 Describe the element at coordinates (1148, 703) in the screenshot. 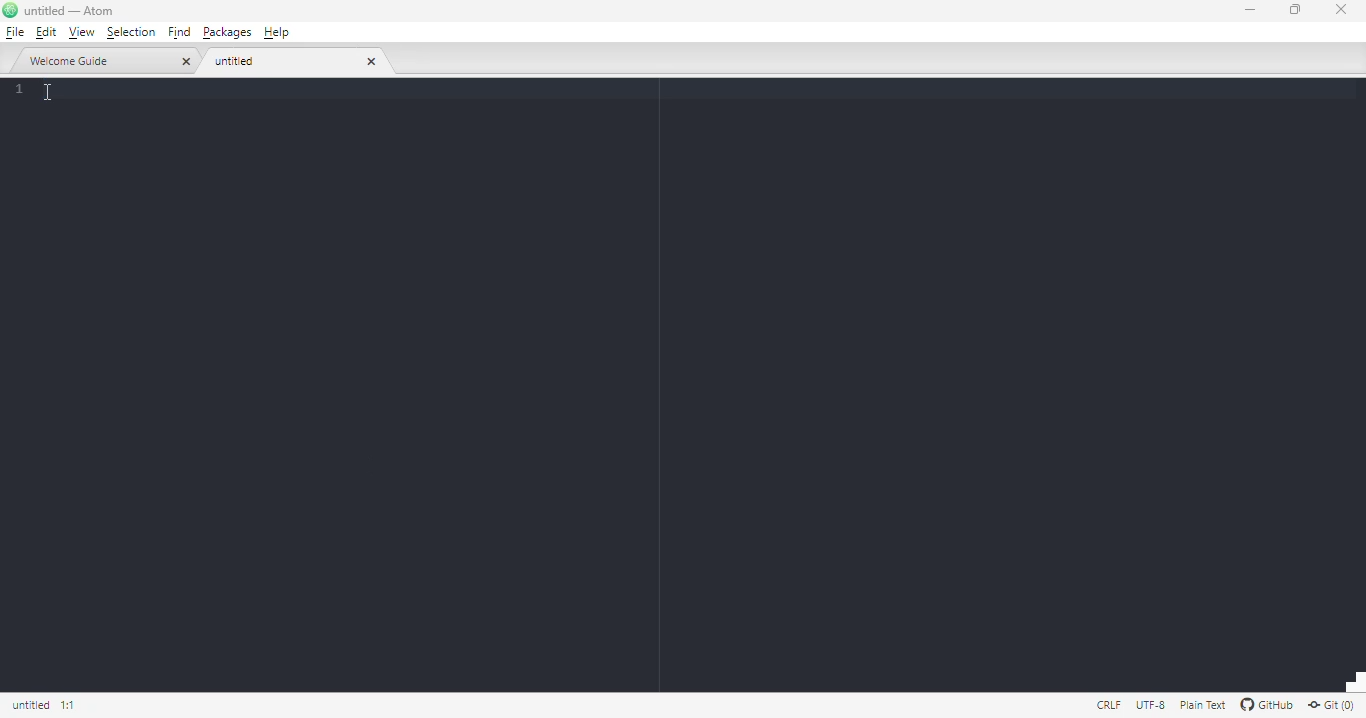

I see `this file uses UTF-8 encoding` at that location.